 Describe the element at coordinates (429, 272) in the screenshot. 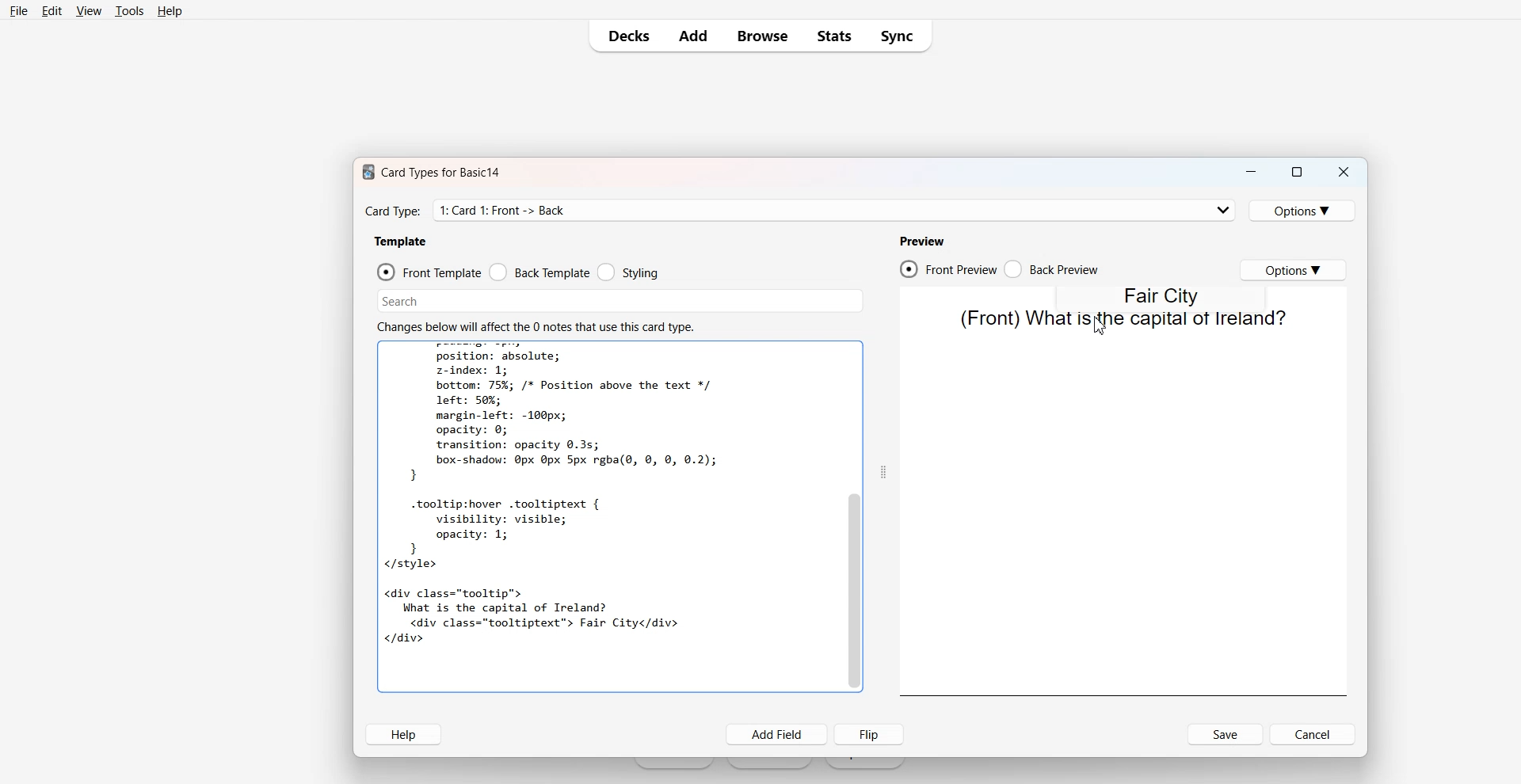

I see `Front Template` at that location.